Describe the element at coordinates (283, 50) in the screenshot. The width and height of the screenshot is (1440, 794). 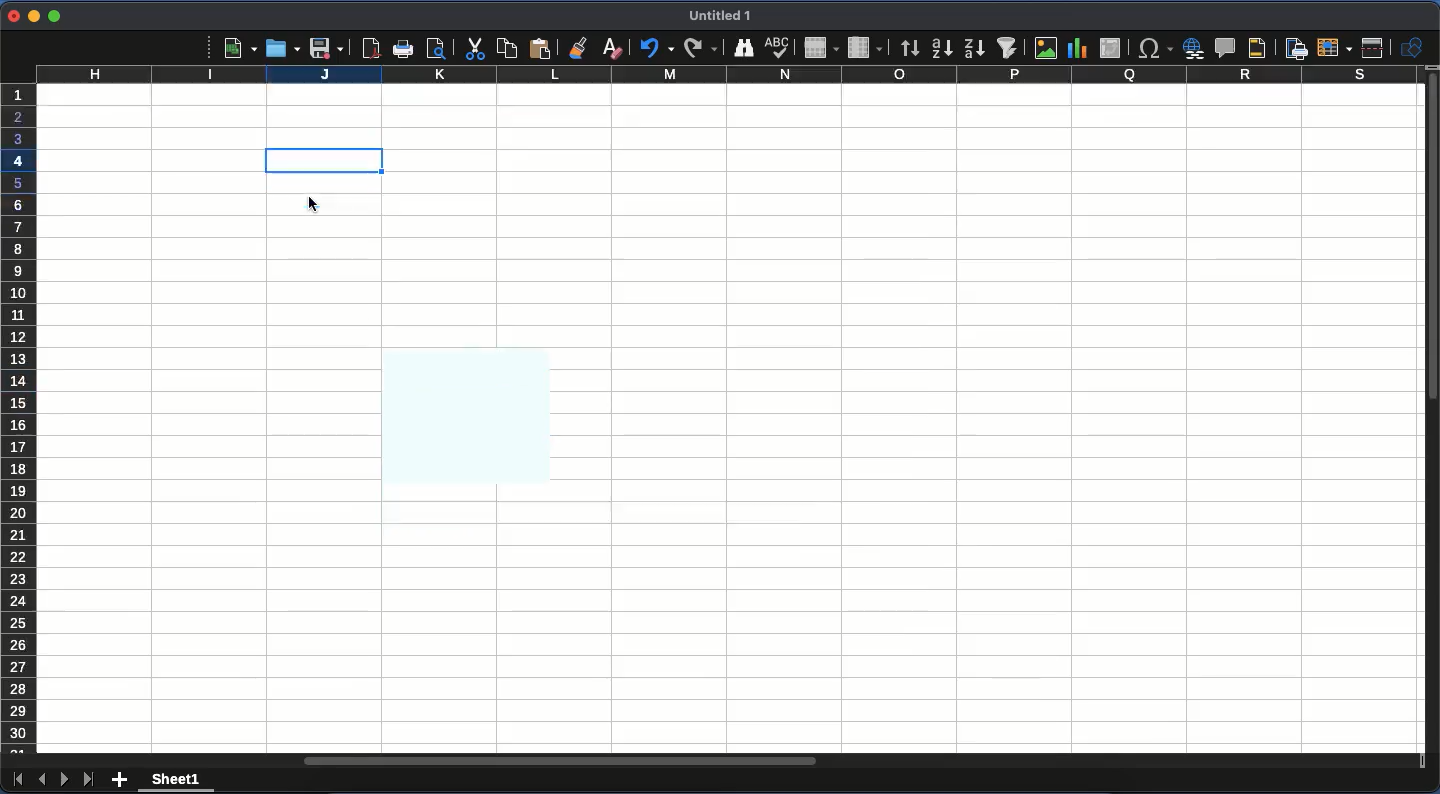
I see `open` at that location.